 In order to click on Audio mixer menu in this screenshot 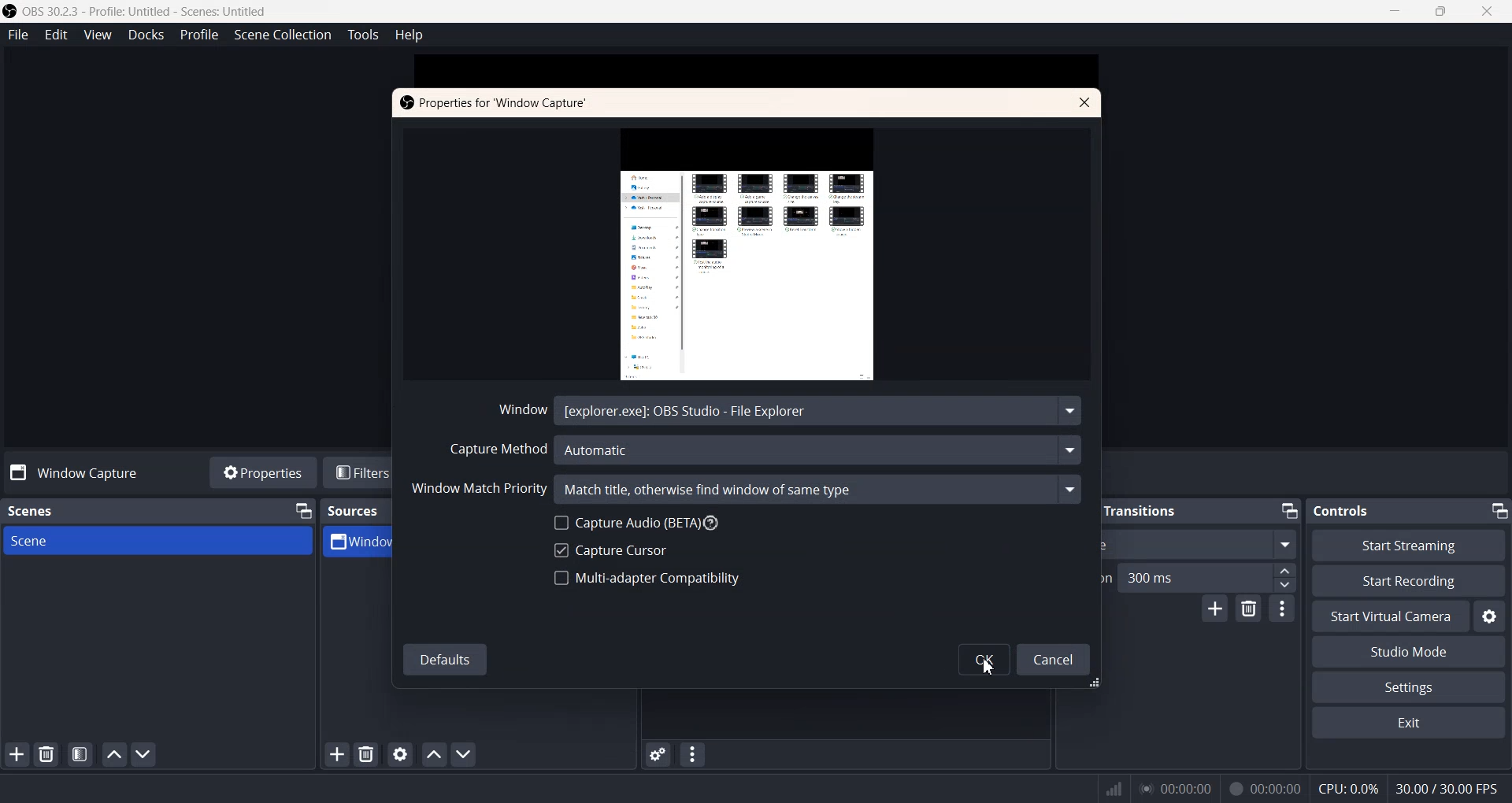, I will do `click(692, 754)`.